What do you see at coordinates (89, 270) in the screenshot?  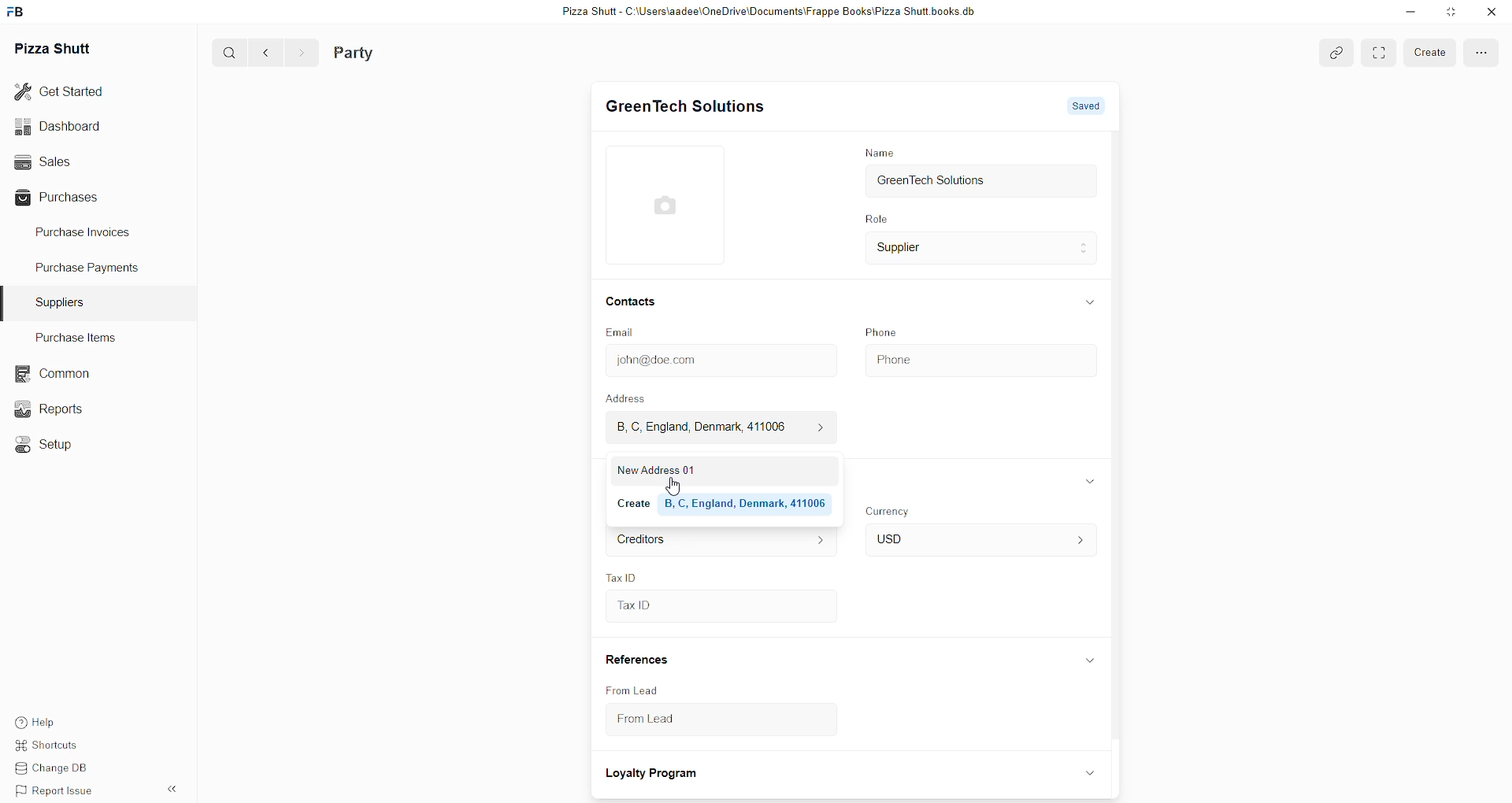 I see `Purchase Payments` at bounding box center [89, 270].